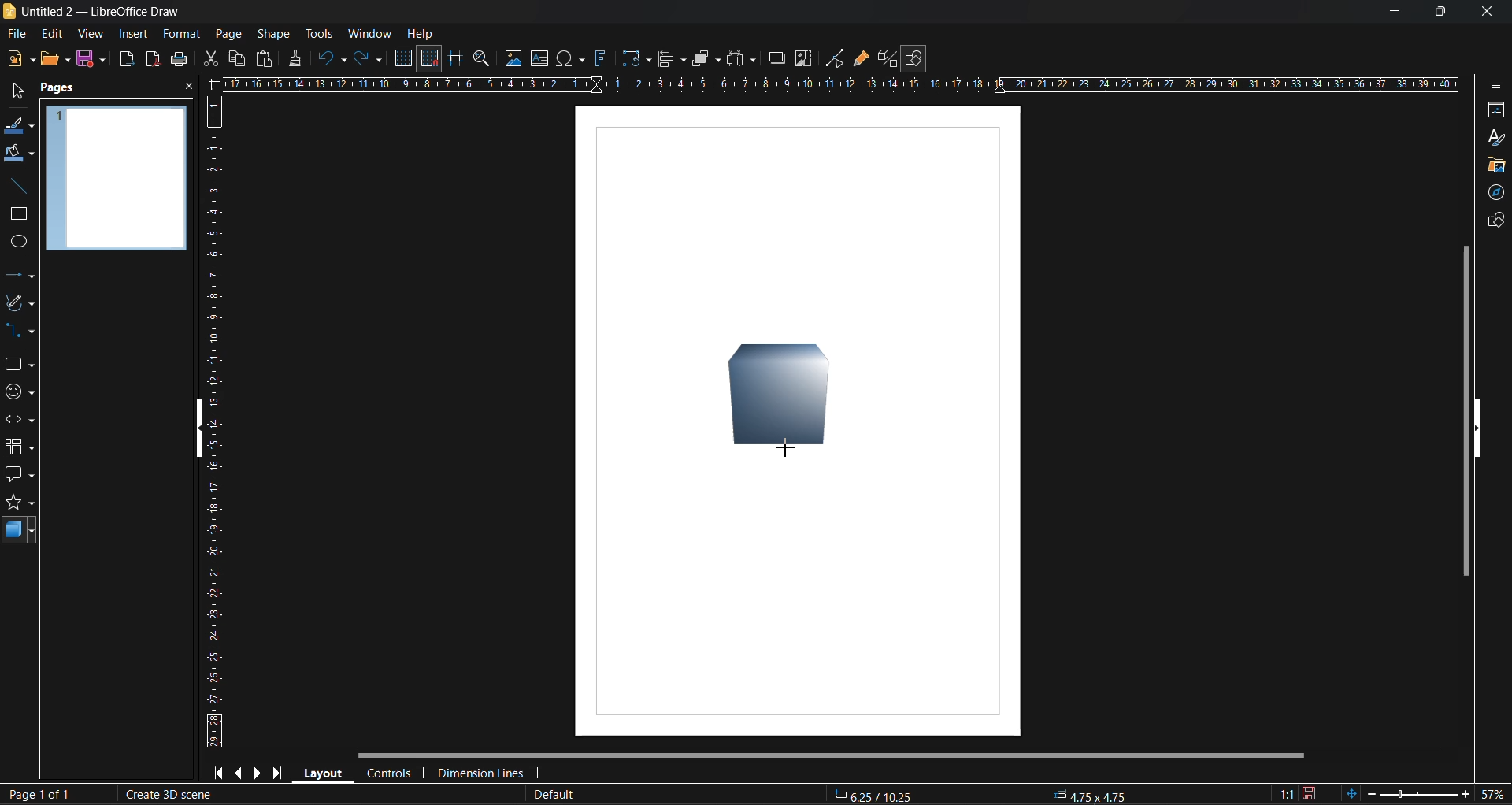 The image size is (1512, 805). I want to click on window, so click(369, 33).